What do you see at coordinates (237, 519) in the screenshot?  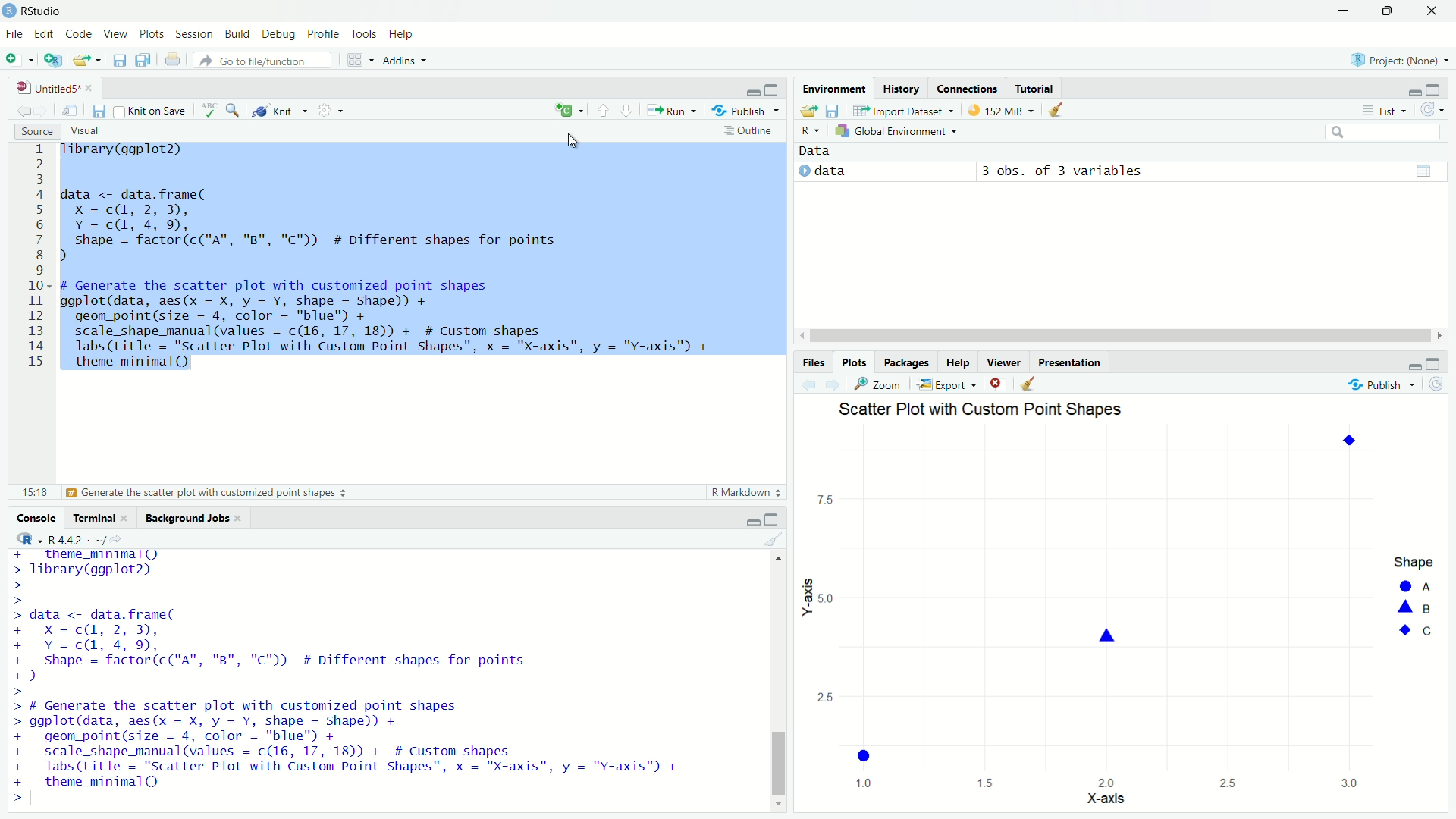 I see `close` at bounding box center [237, 519].